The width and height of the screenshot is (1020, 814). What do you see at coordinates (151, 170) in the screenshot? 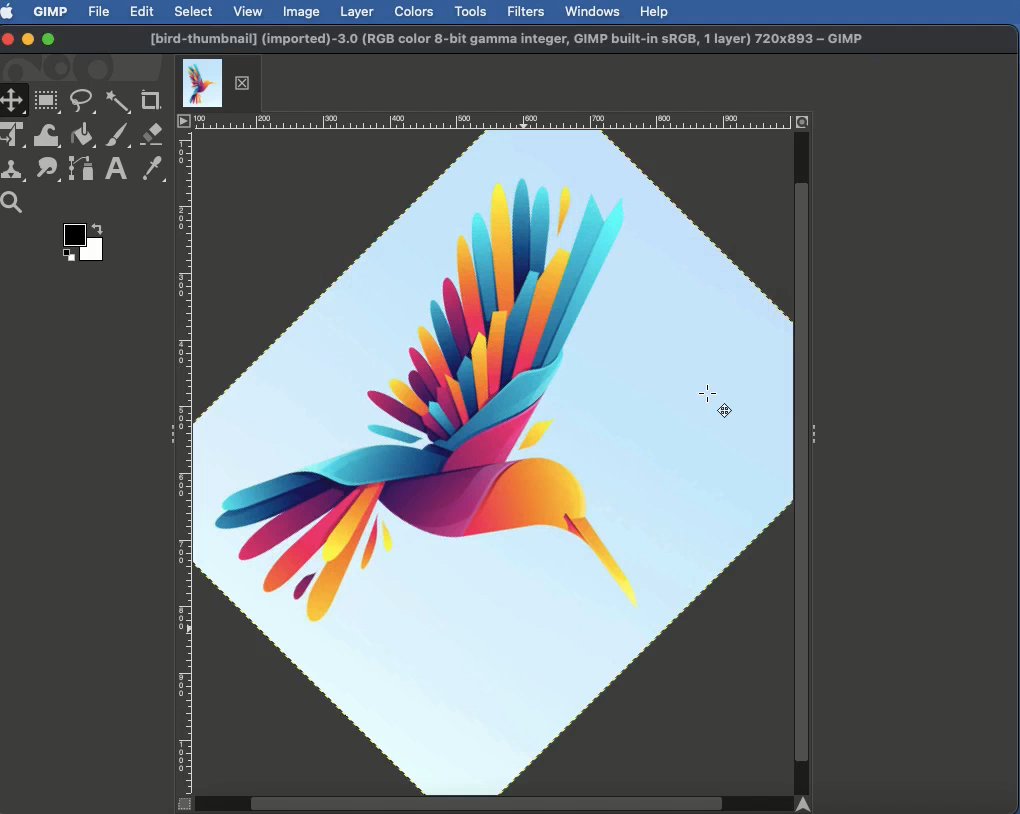
I see `Color picker` at bounding box center [151, 170].